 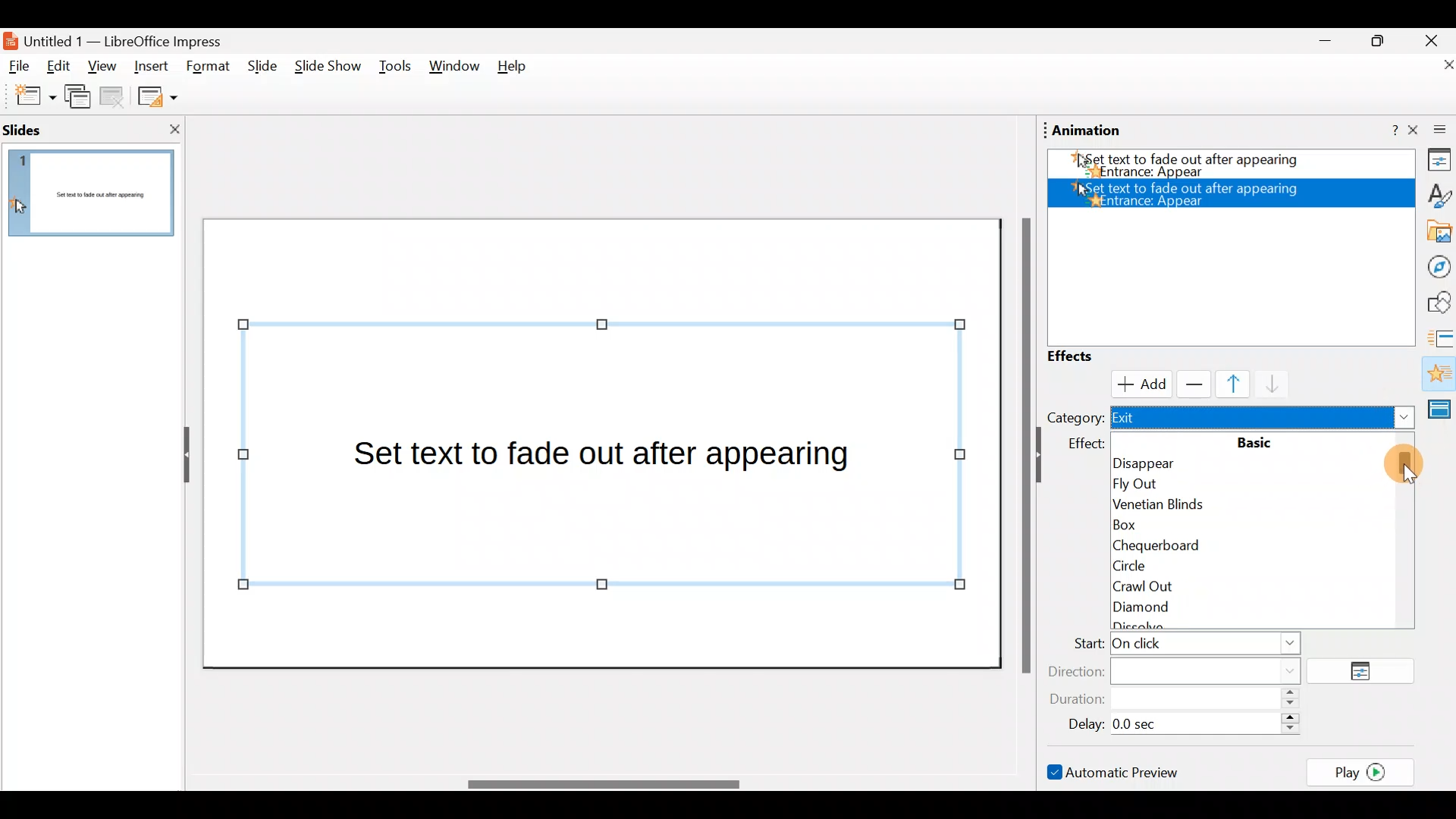 I want to click on Automatic preview, so click(x=1116, y=771).